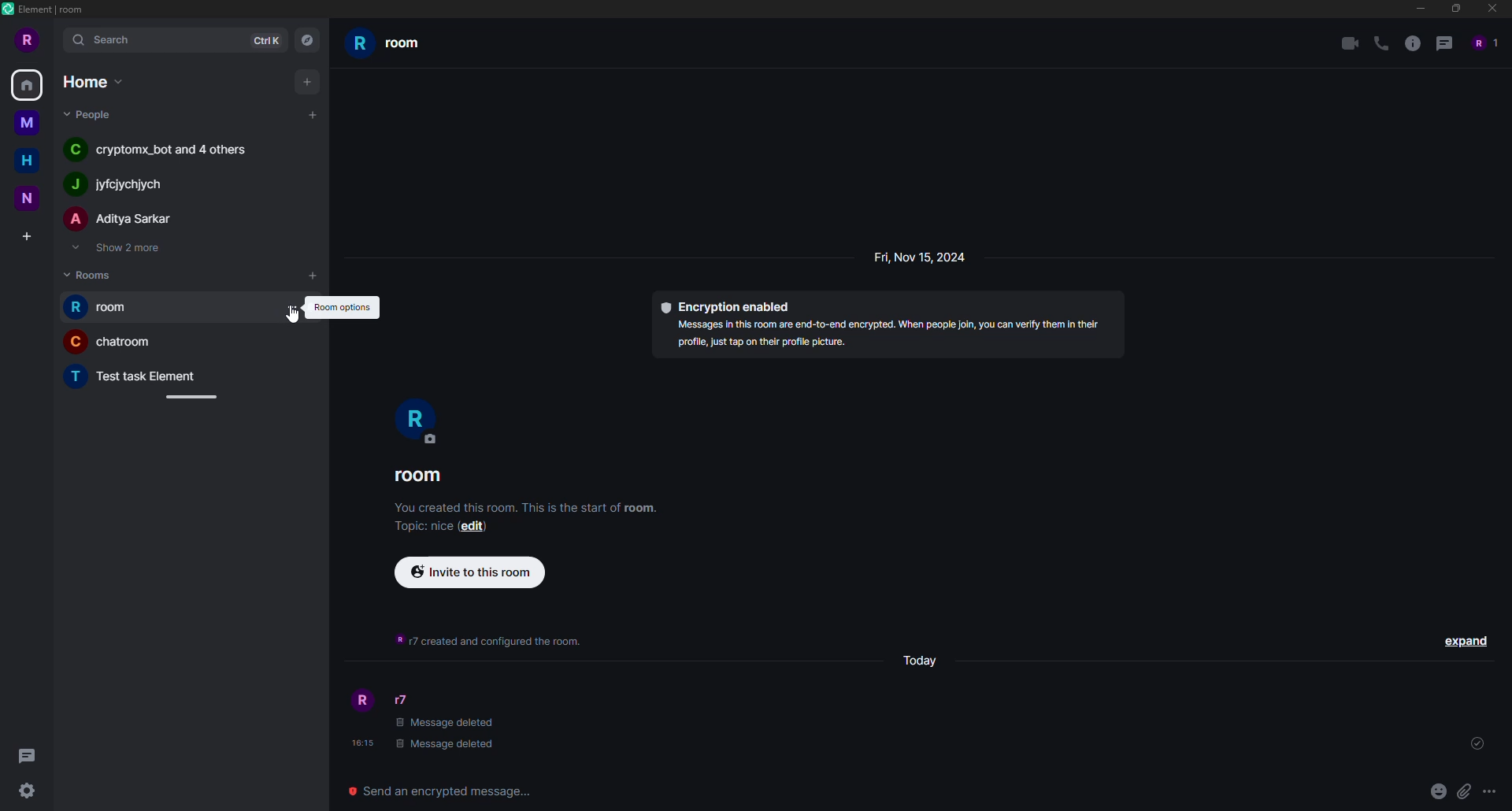  Describe the element at coordinates (25, 42) in the screenshot. I see `r` at that location.